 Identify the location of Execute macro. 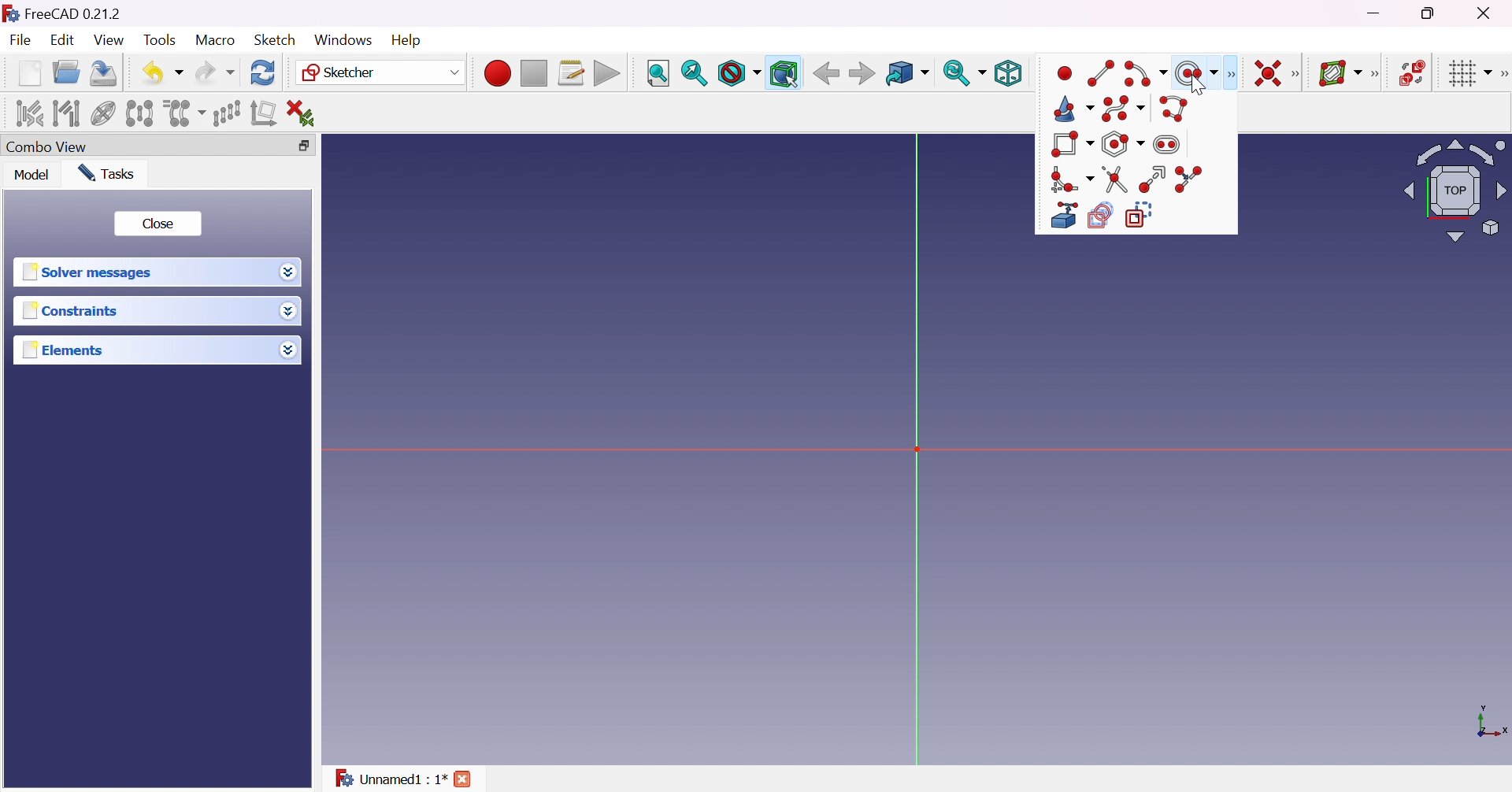
(607, 76).